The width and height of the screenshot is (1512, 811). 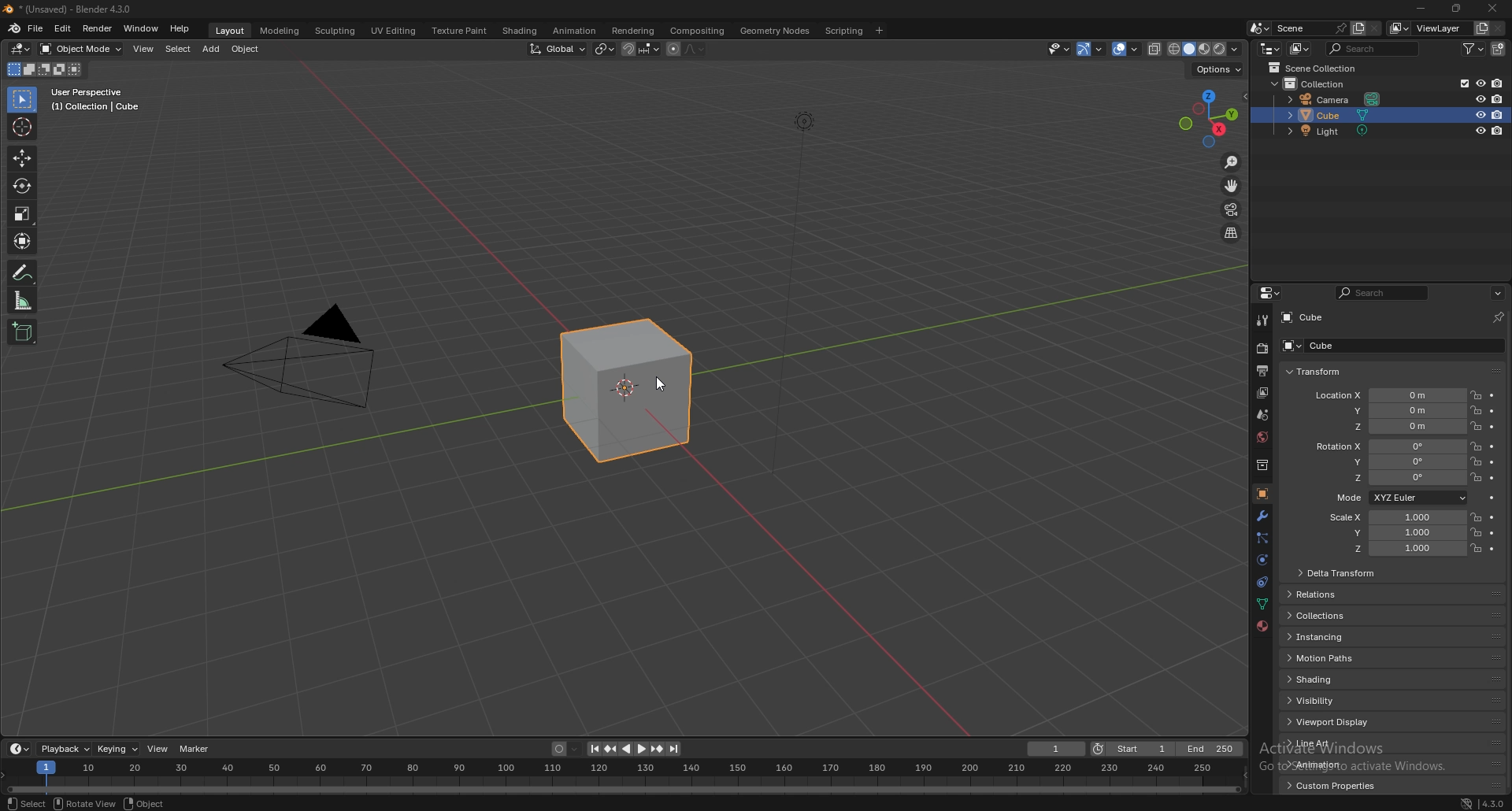 What do you see at coordinates (1467, 804) in the screenshot?
I see `network` at bounding box center [1467, 804].